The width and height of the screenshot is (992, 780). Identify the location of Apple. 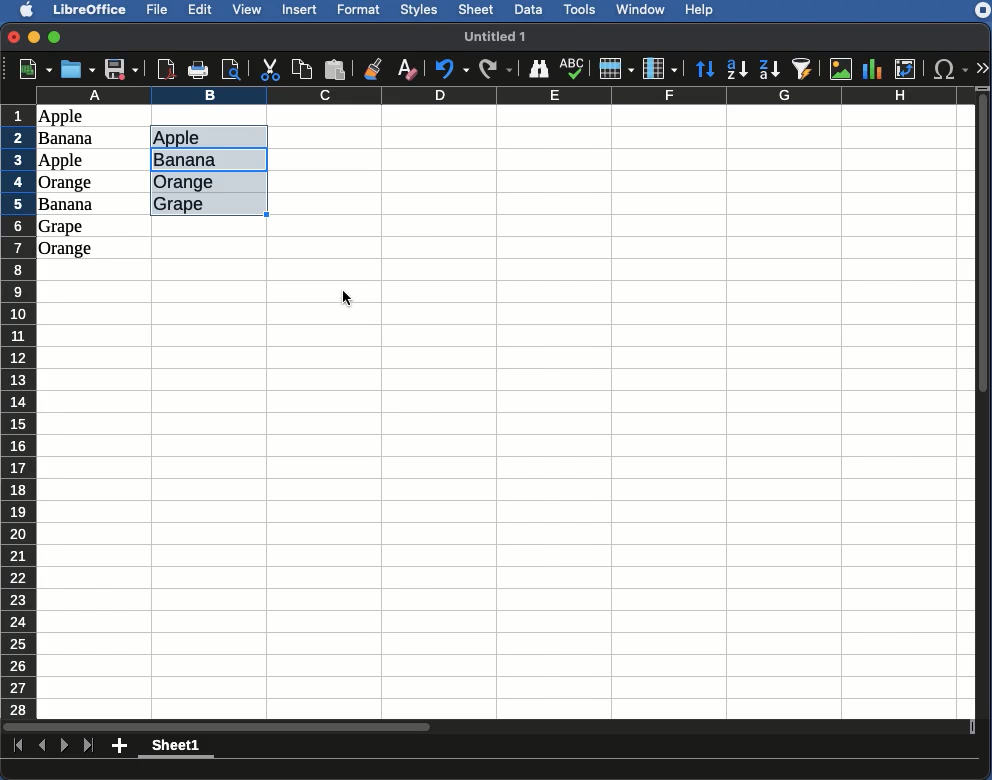
(63, 161).